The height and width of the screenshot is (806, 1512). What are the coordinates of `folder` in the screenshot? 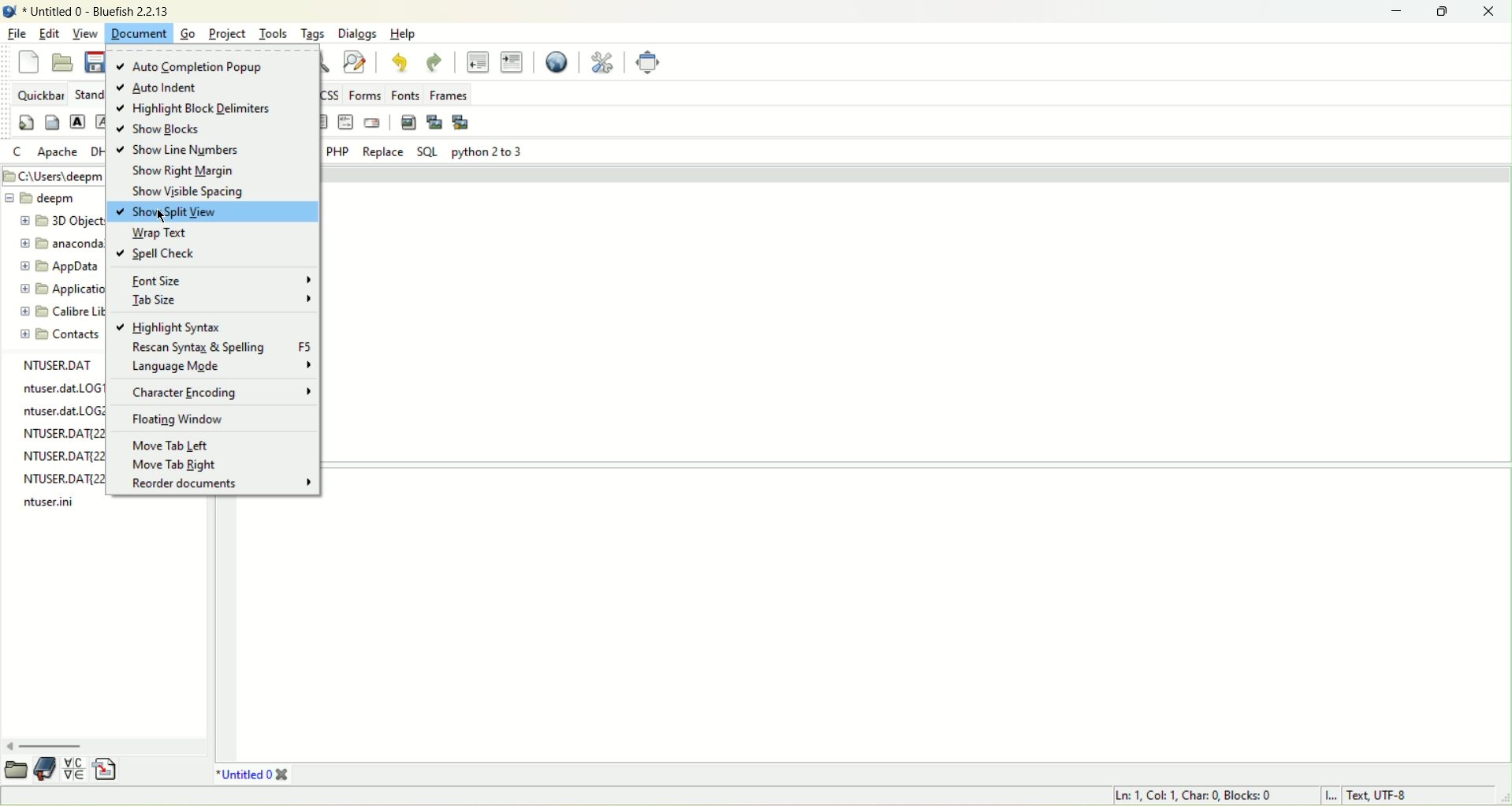 It's located at (44, 198).